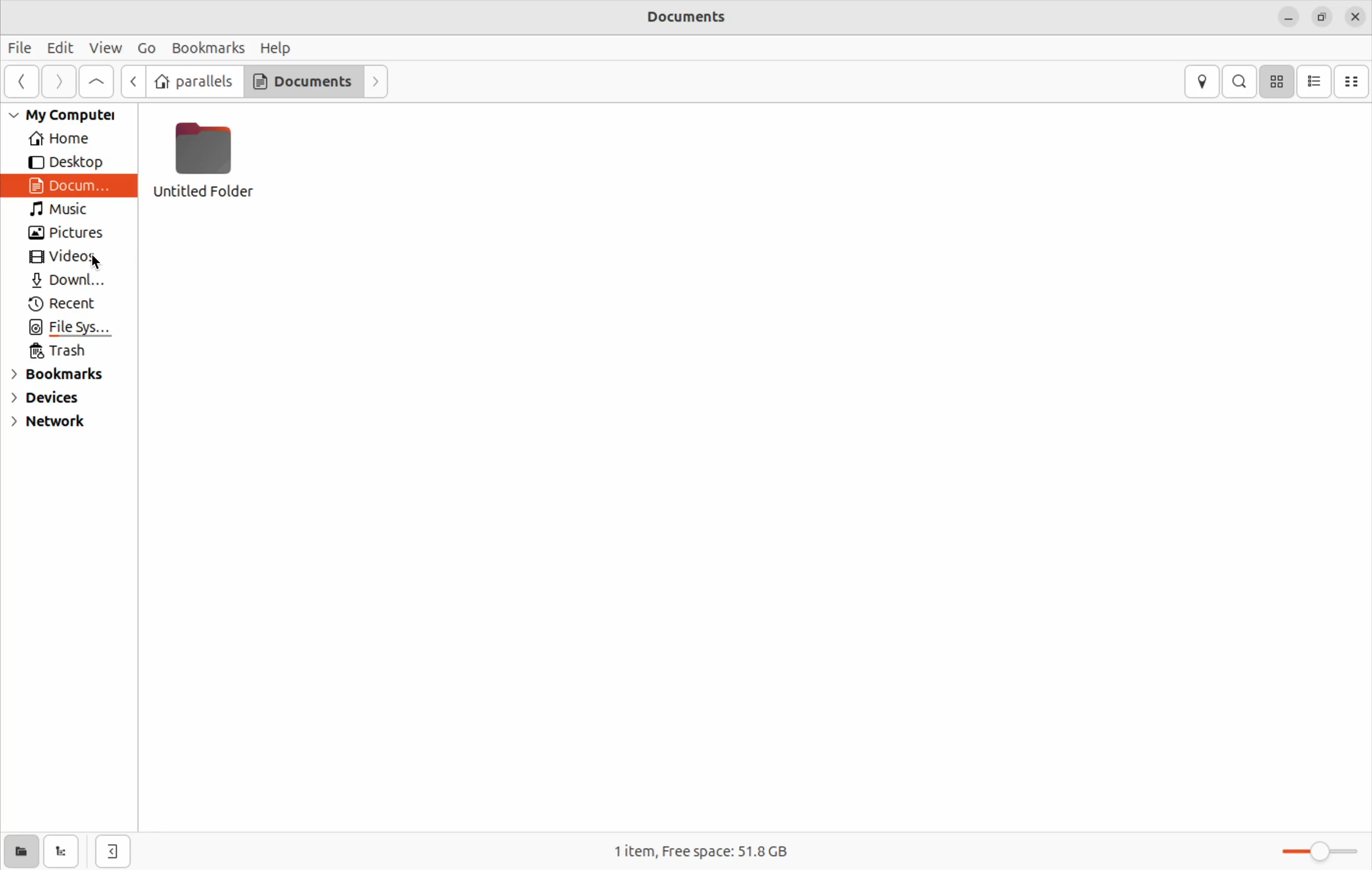 The width and height of the screenshot is (1372, 870). I want to click on Devices, so click(52, 401).